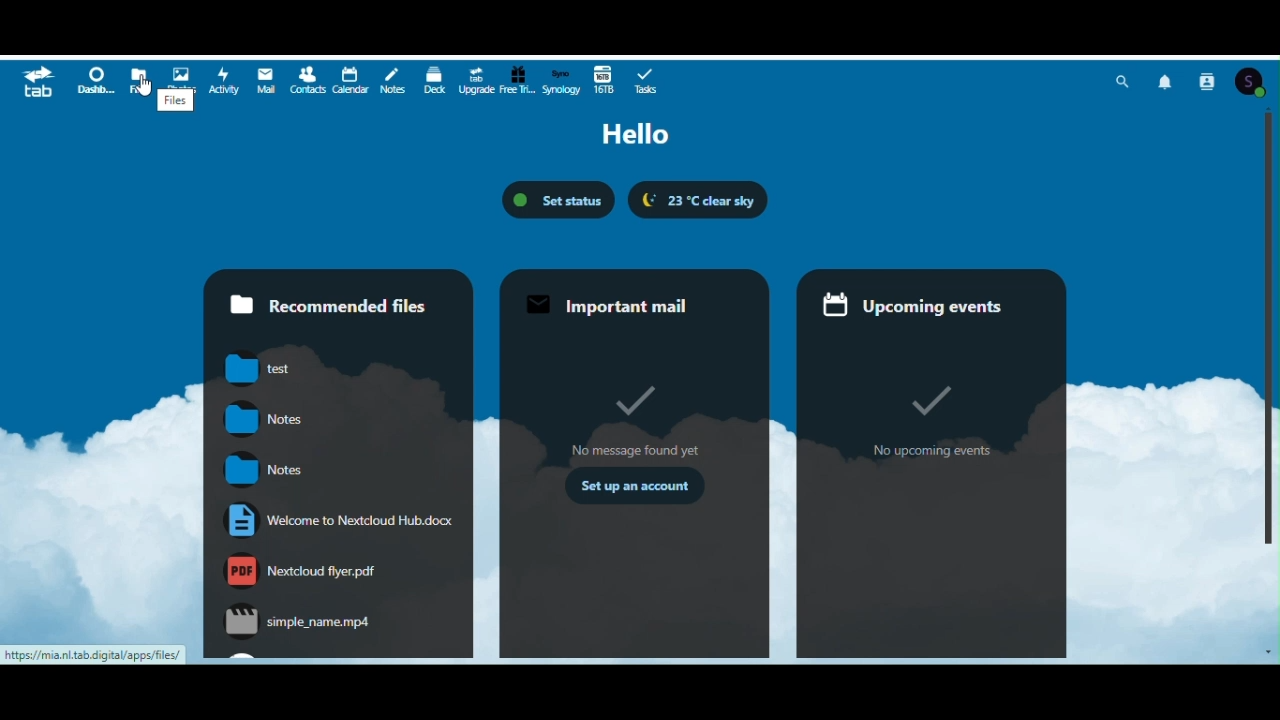  Describe the element at coordinates (335, 299) in the screenshot. I see `Recommended files` at that location.